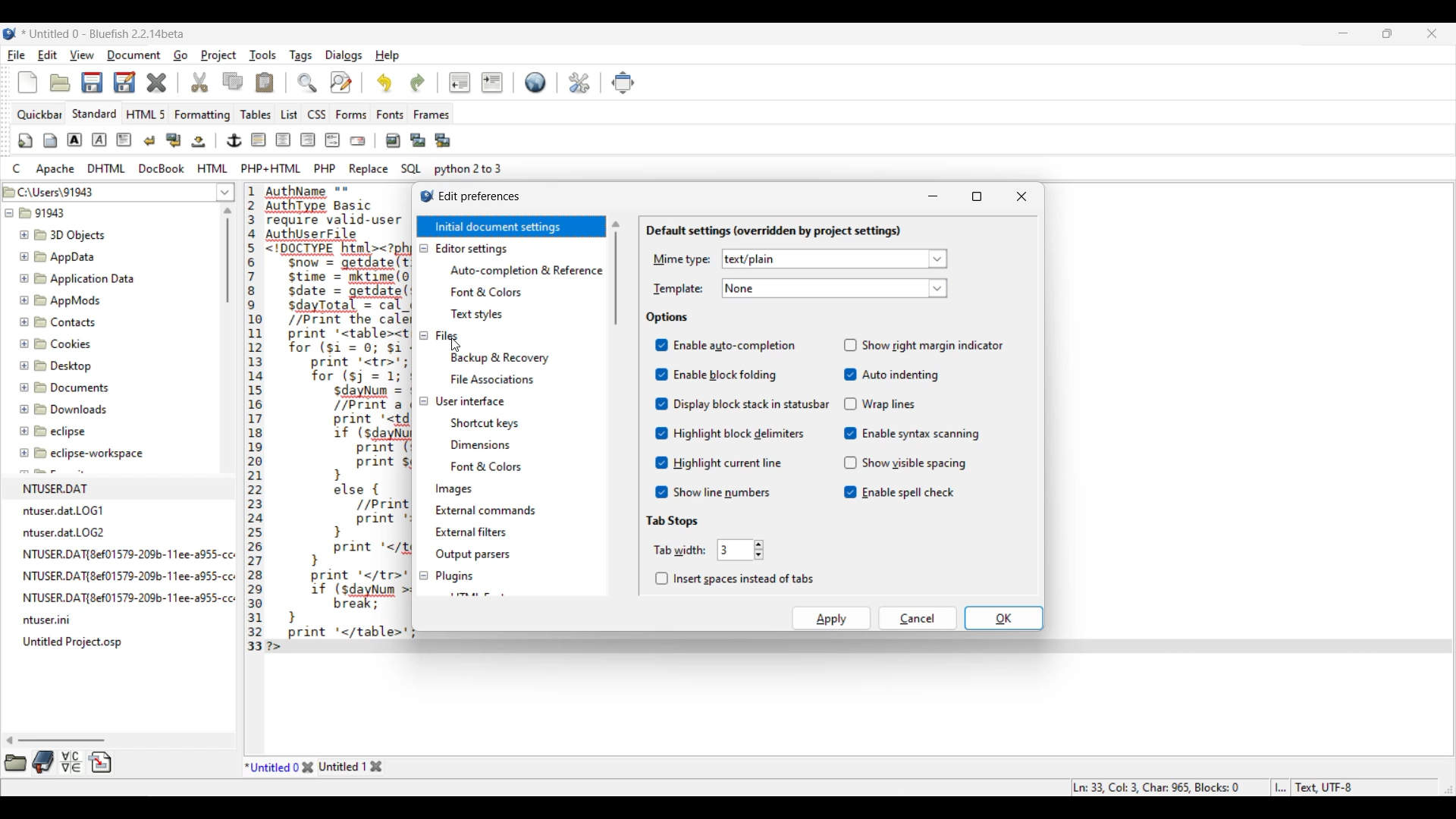 The image size is (1456, 819). Describe the element at coordinates (388, 56) in the screenshot. I see `Help menu` at that location.